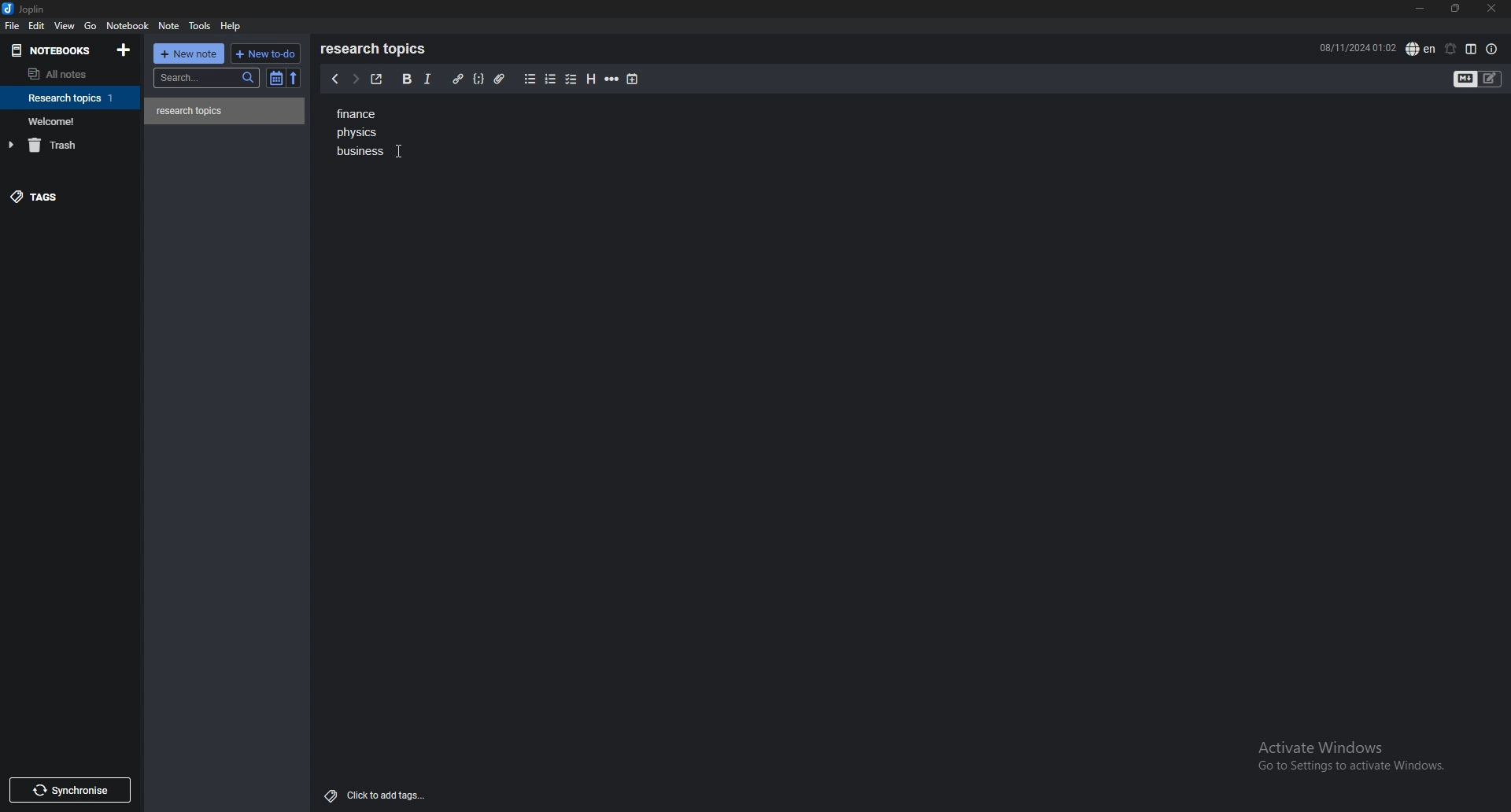 The width and height of the screenshot is (1511, 812). I want to click on toggle editor, so click(1479, 79).